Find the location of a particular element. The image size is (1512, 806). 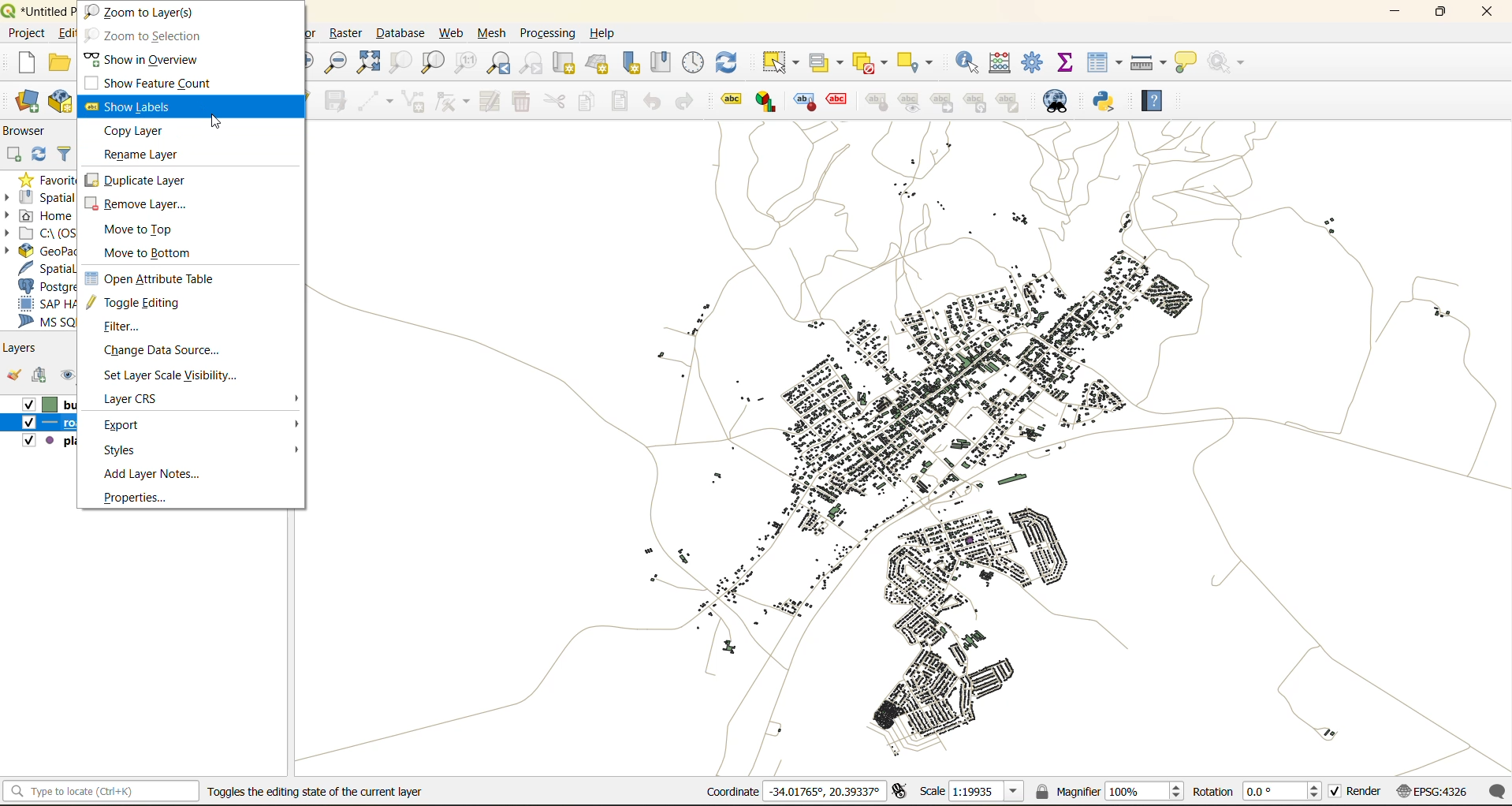

open attribute table is located at coordinates (156, 275).